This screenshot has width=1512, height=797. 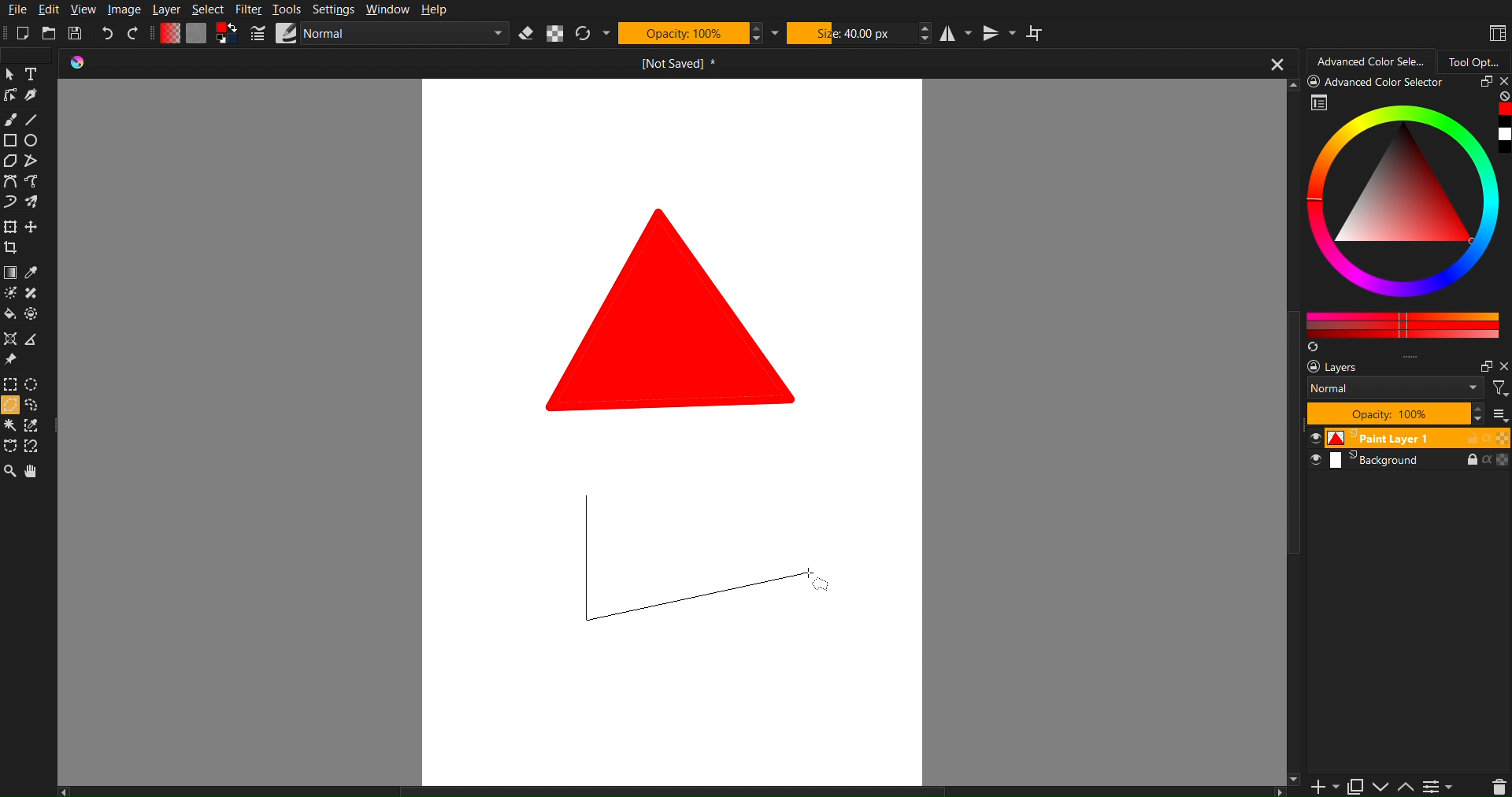 What do you see at coordinates (1404, 413) in the screenshot?
I see `Layers` at bounding box center [1404, 413].